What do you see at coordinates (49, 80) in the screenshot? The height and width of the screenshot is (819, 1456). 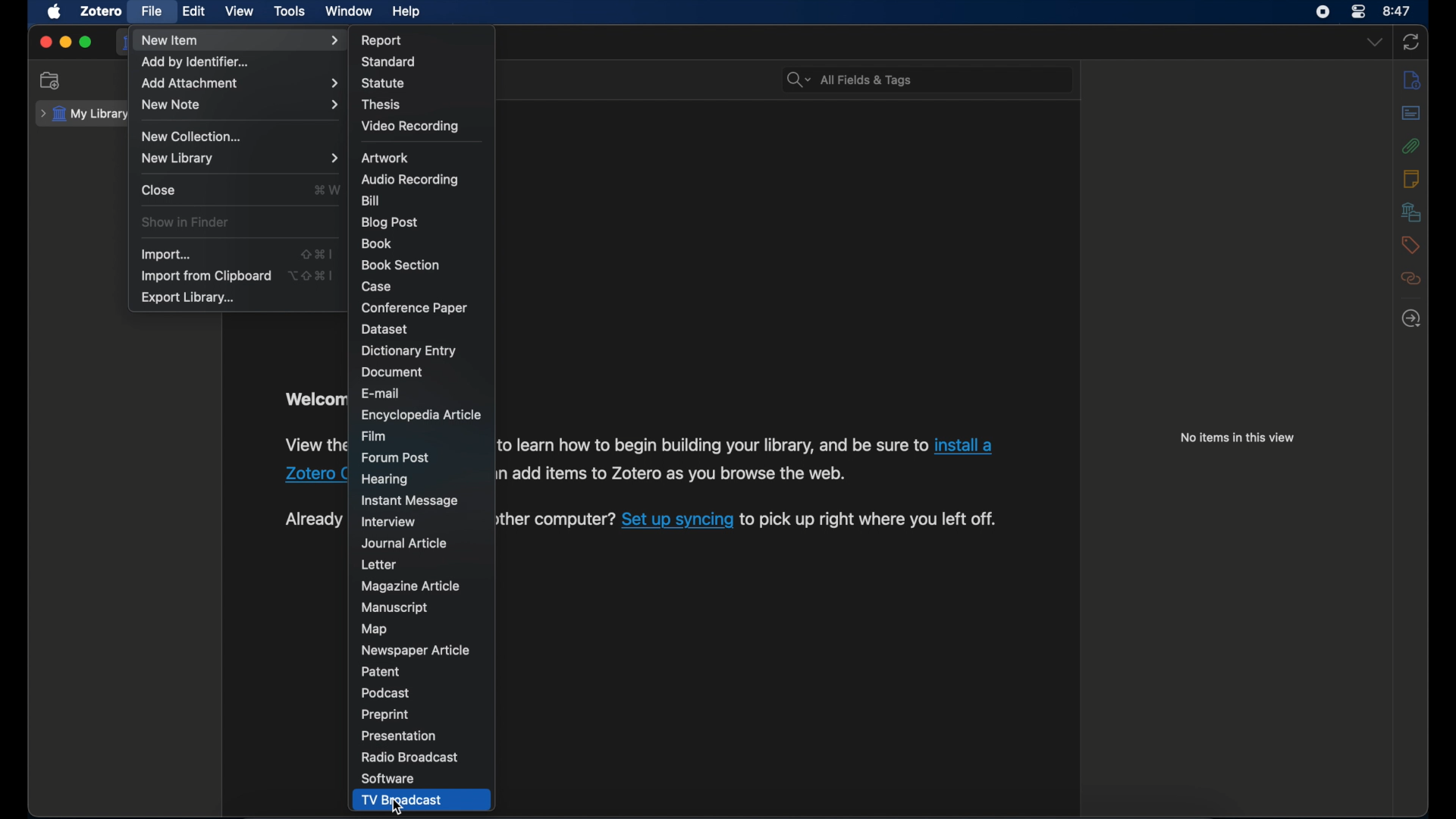 I see `new collection` at bounding box center [49, 80].